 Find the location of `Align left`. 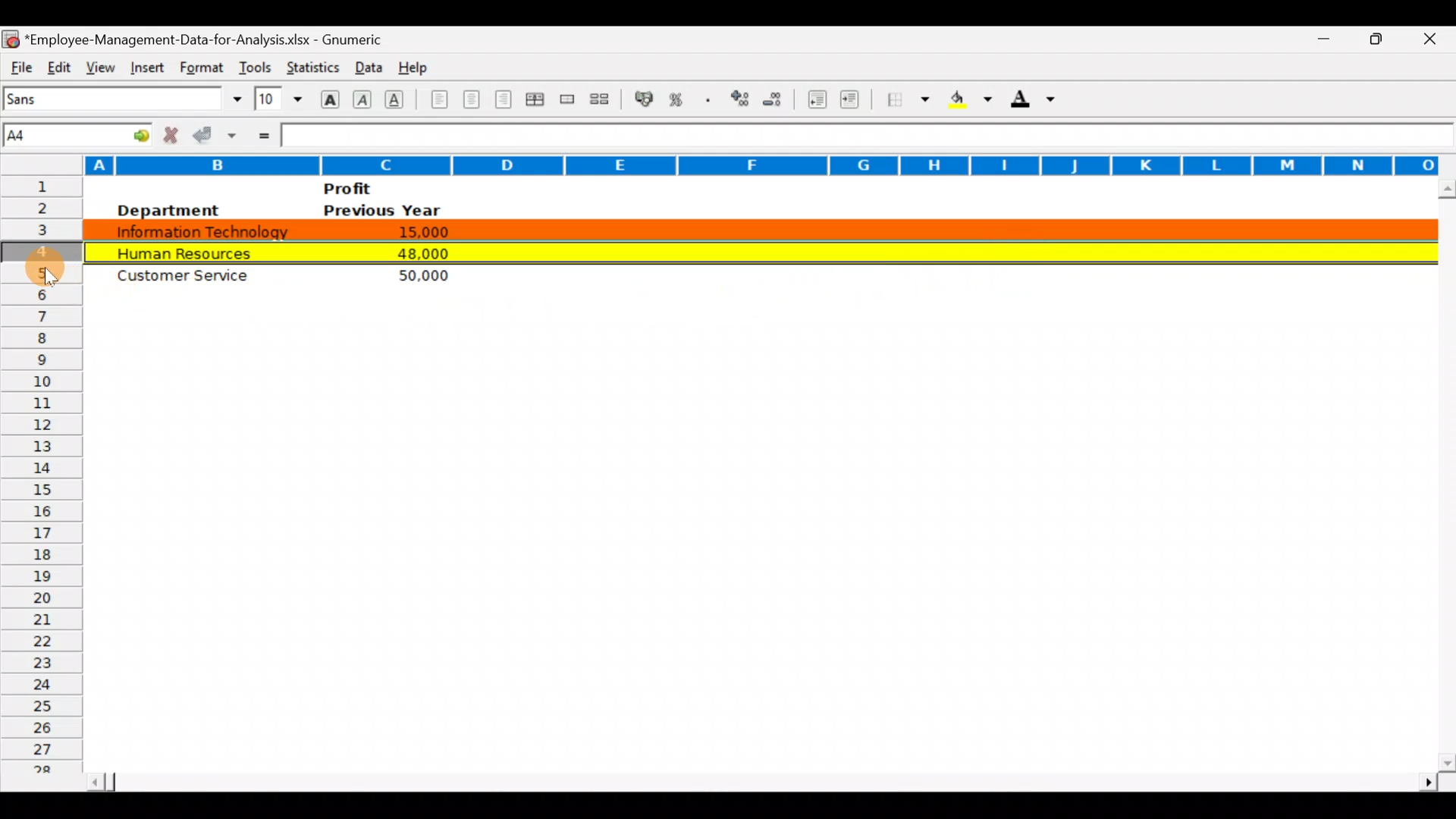

Align left is located at coordinates (438, 99).